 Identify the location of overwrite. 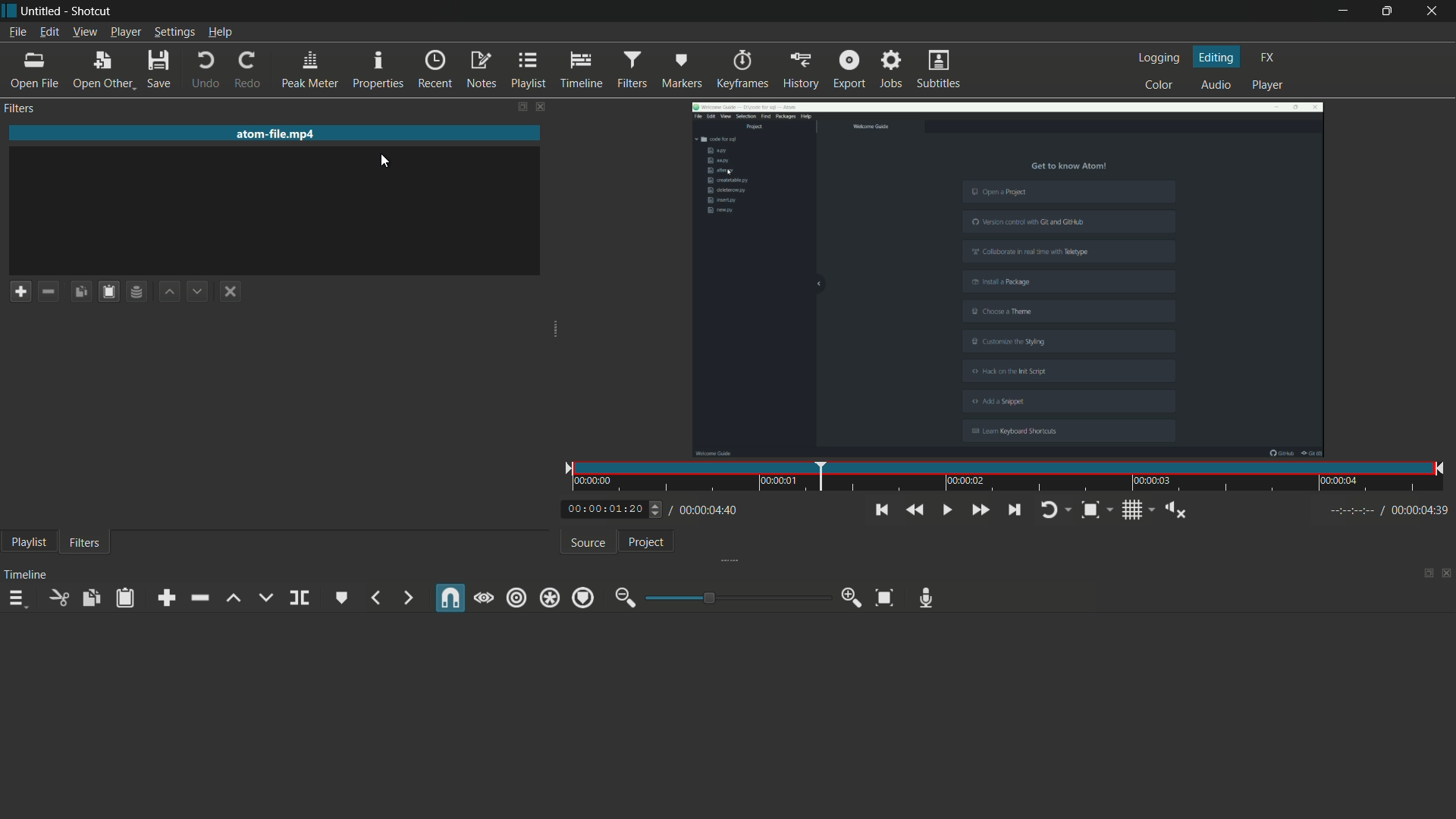
(264, 596).